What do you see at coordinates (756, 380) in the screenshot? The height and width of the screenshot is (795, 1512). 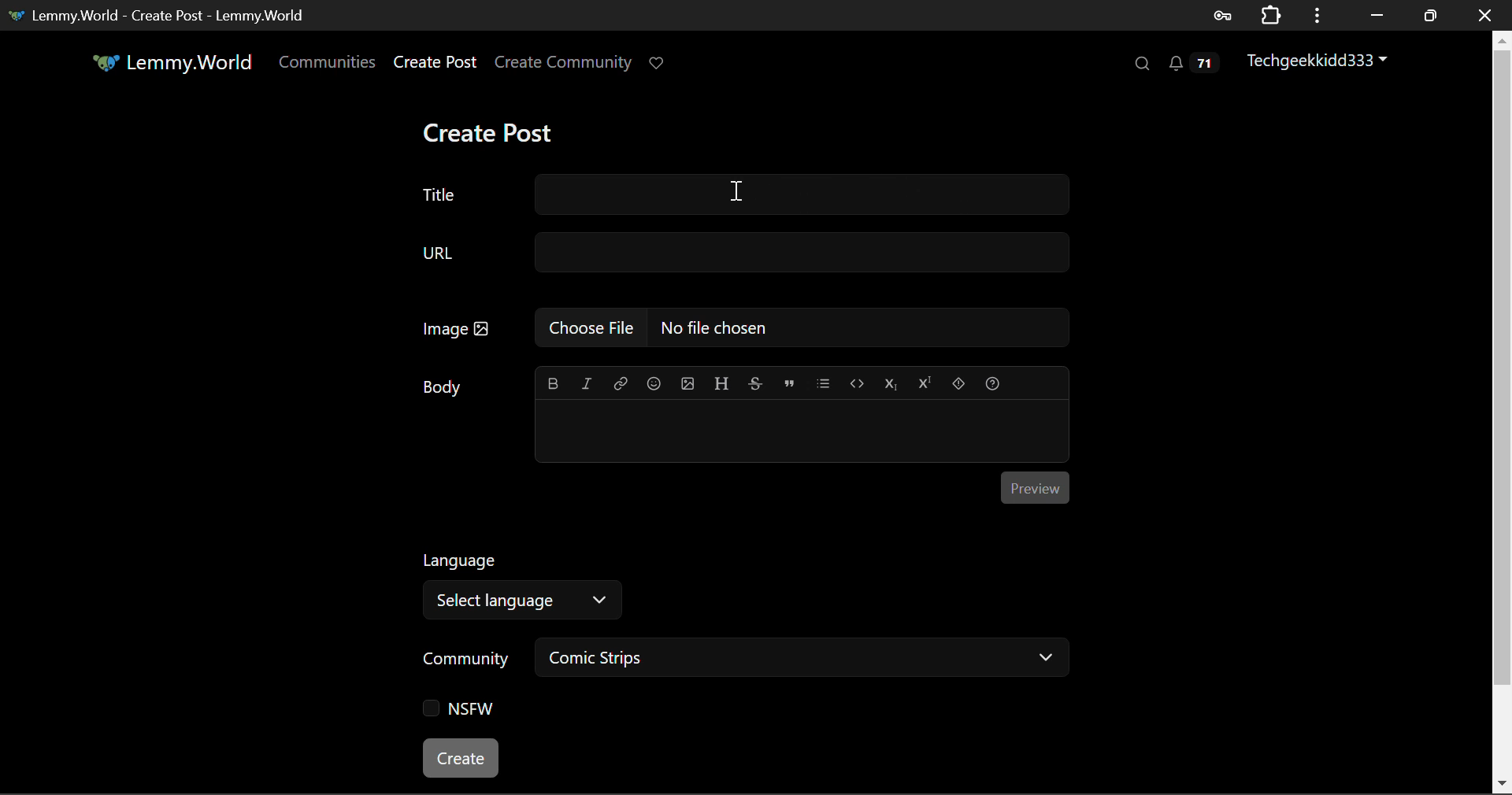 I see `strikethrough` at bounding box center [756, 380].